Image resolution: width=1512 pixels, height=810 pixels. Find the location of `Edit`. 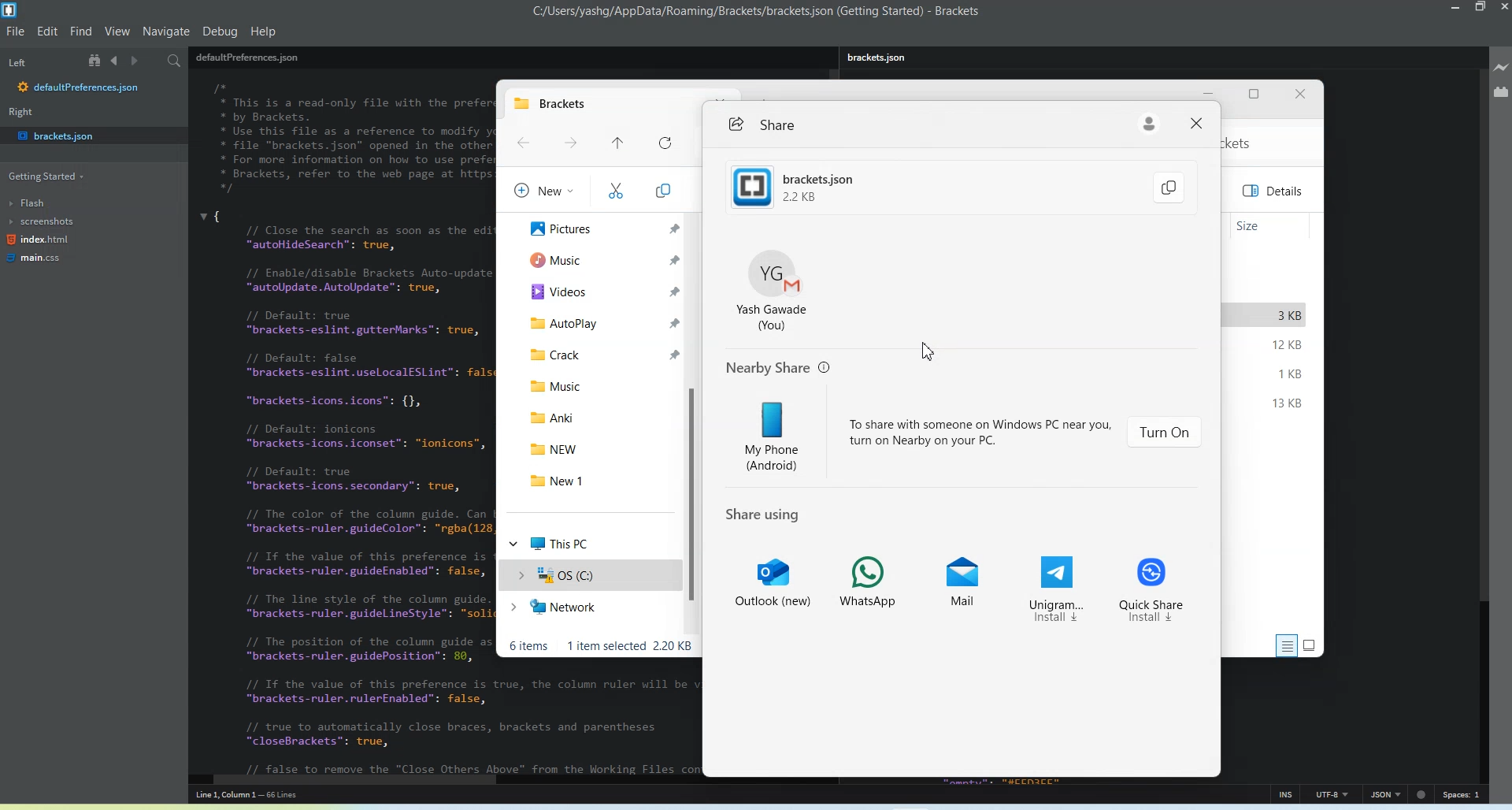

Edit is located at coordinates (49, 30).